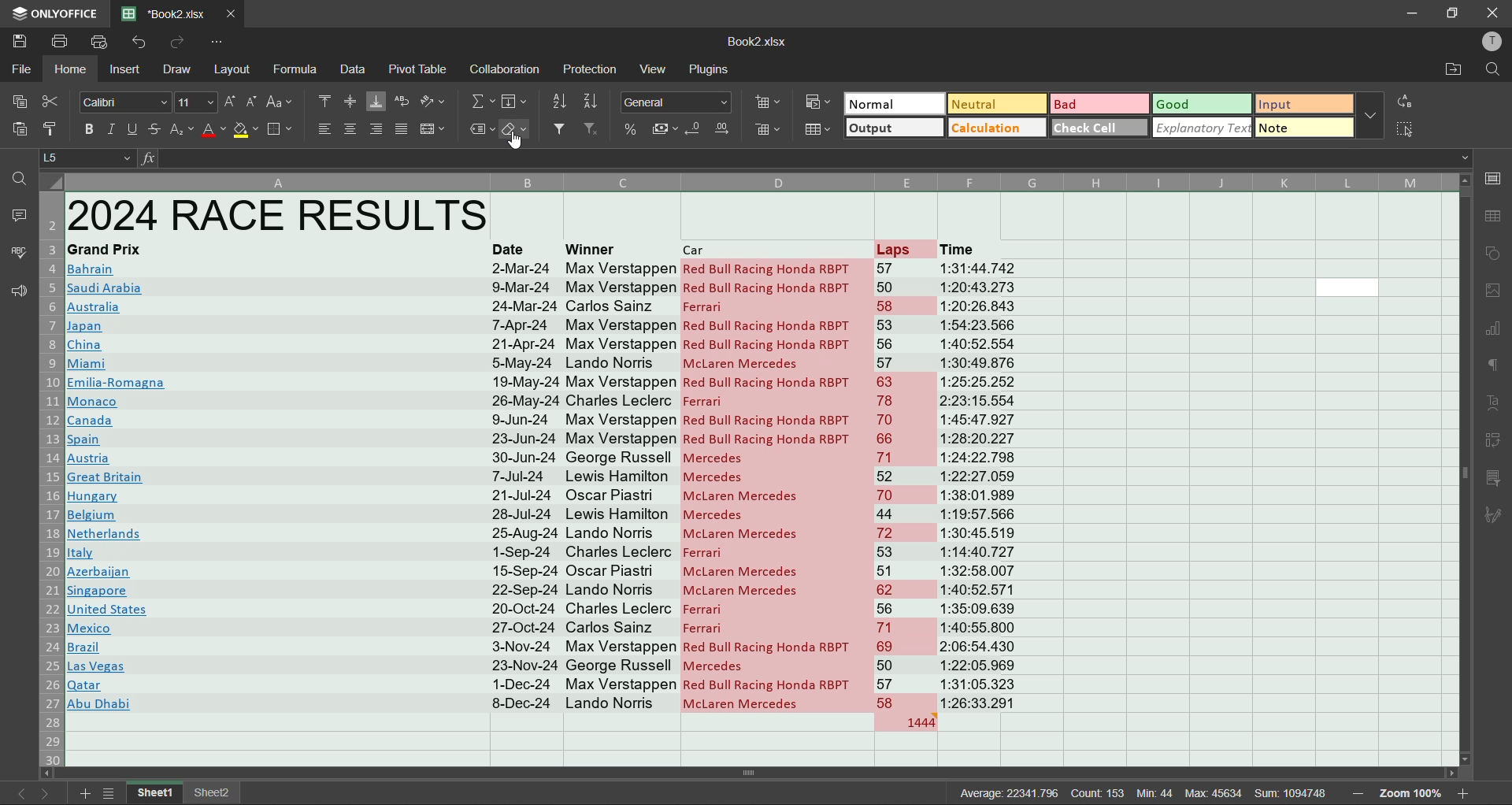  What do you see at coordinates (592, 130) in the screenshot?
I see `clear filter` at bounding box center [592, 130].